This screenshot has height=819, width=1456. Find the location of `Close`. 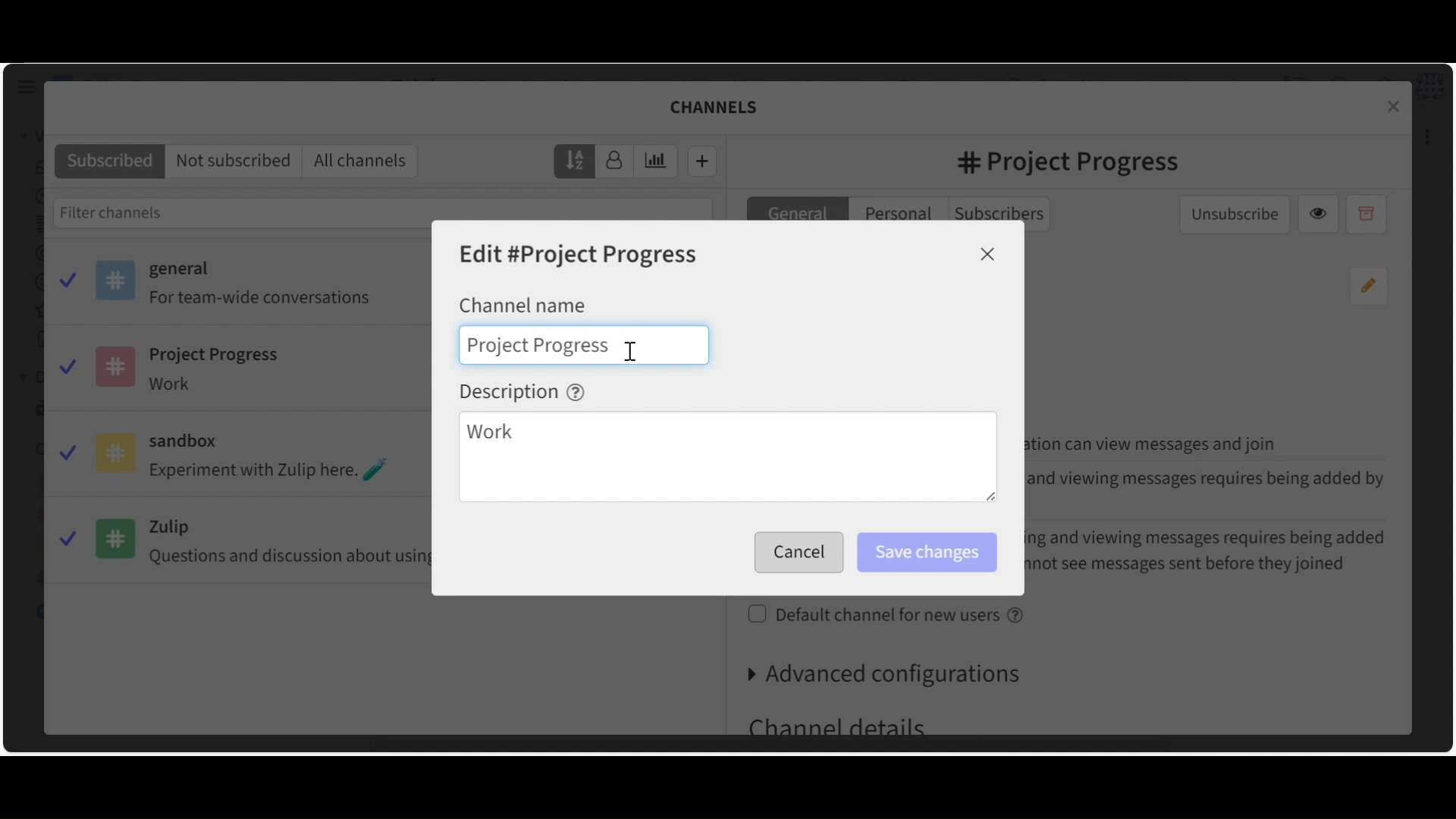

Close is located at coordinates (988, 254).